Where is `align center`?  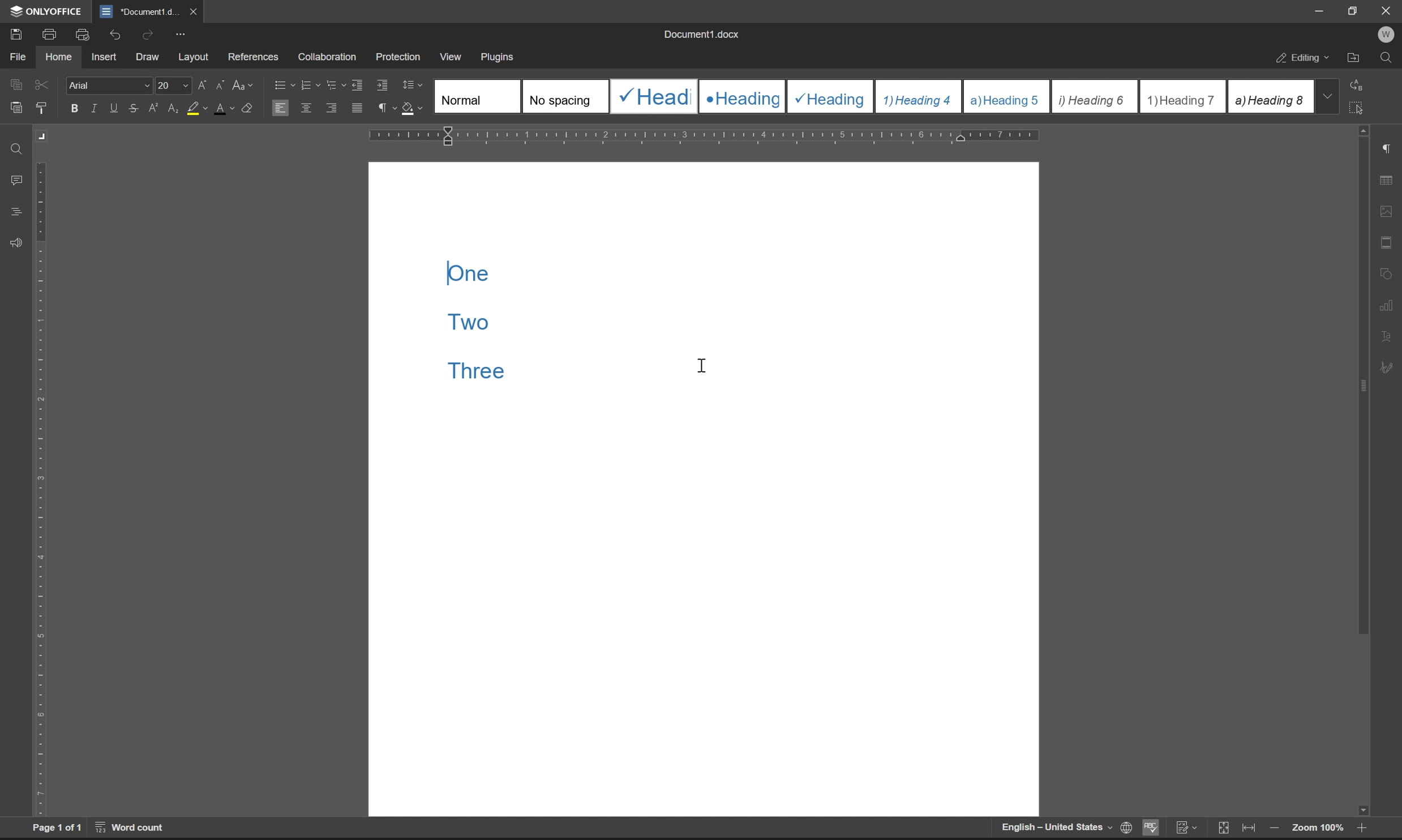
align center is located at coordinates (307, 107).